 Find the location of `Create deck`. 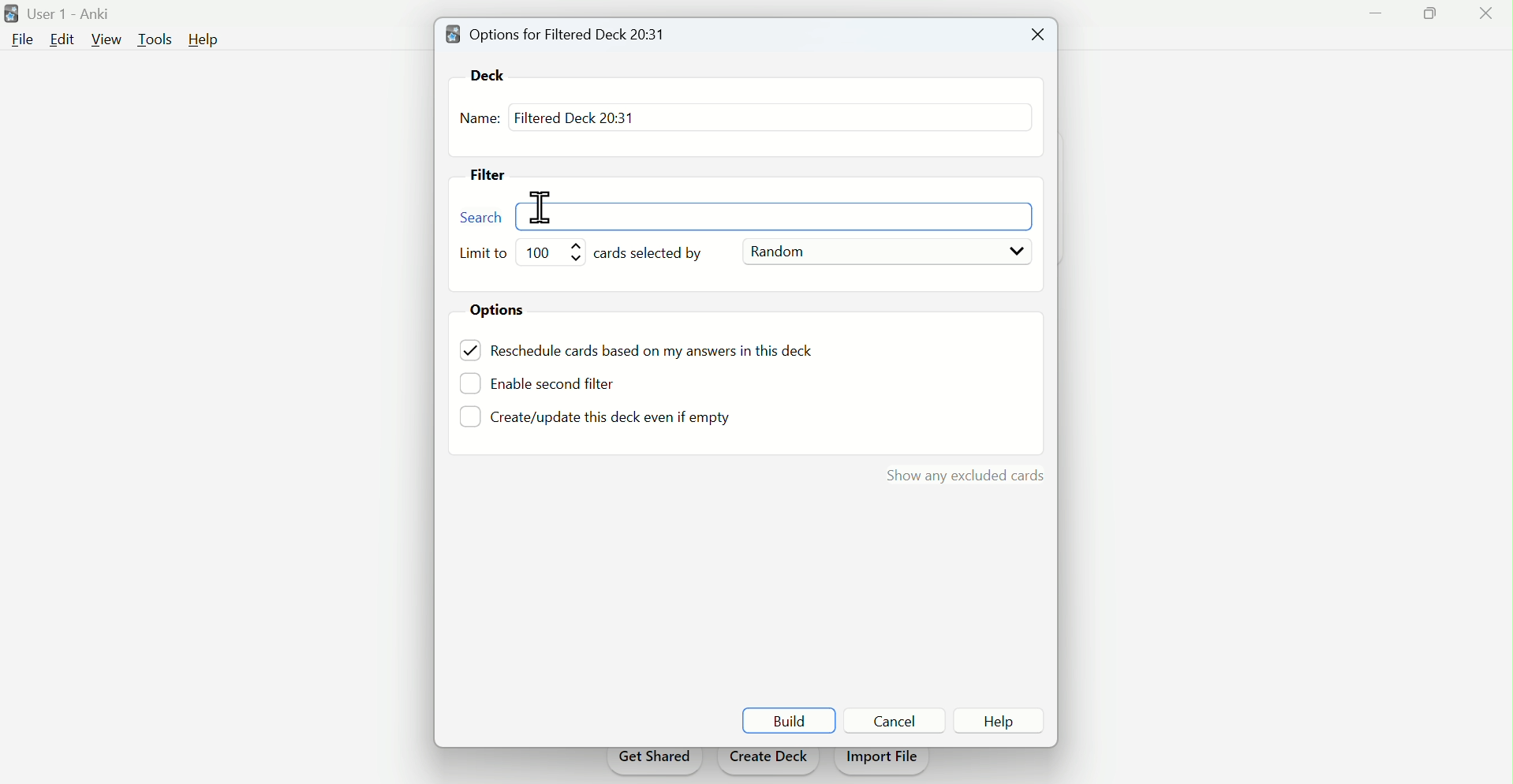

Create deck is located at coordinates (768, 761).